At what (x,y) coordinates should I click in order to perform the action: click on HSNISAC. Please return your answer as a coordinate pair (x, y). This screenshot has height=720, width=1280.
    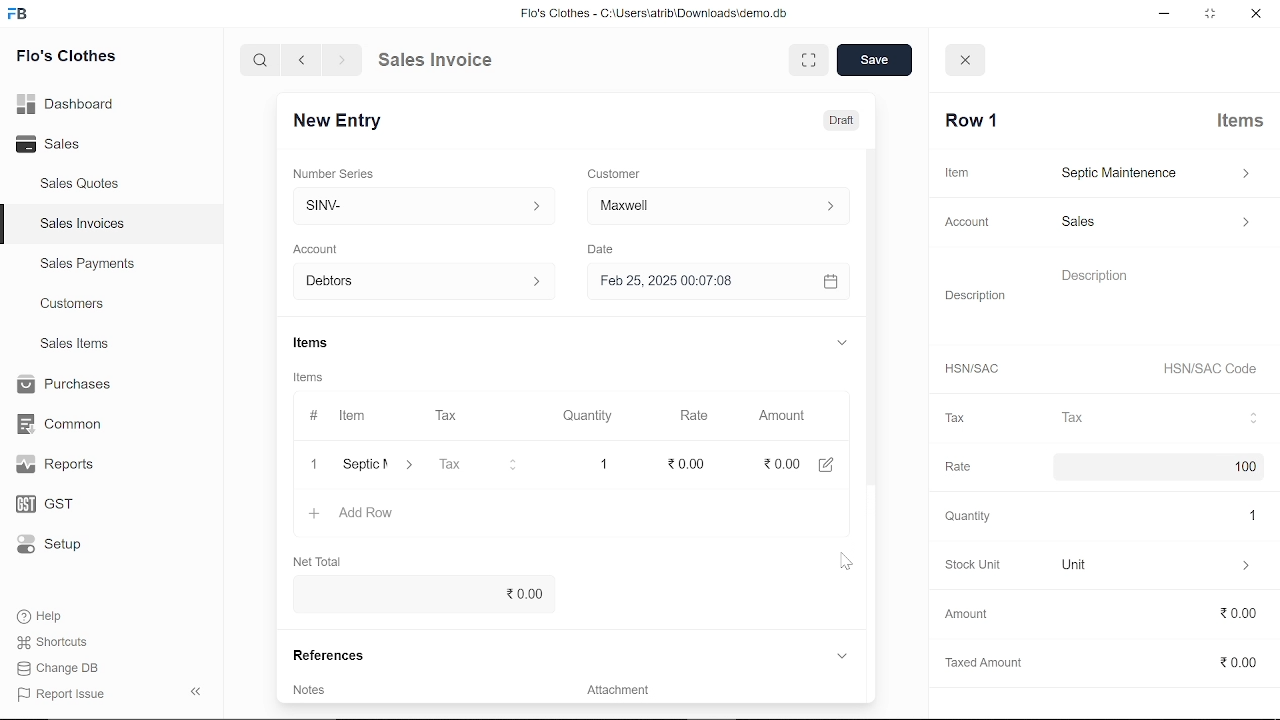
    Looking at the image, I should click on (972, 369).